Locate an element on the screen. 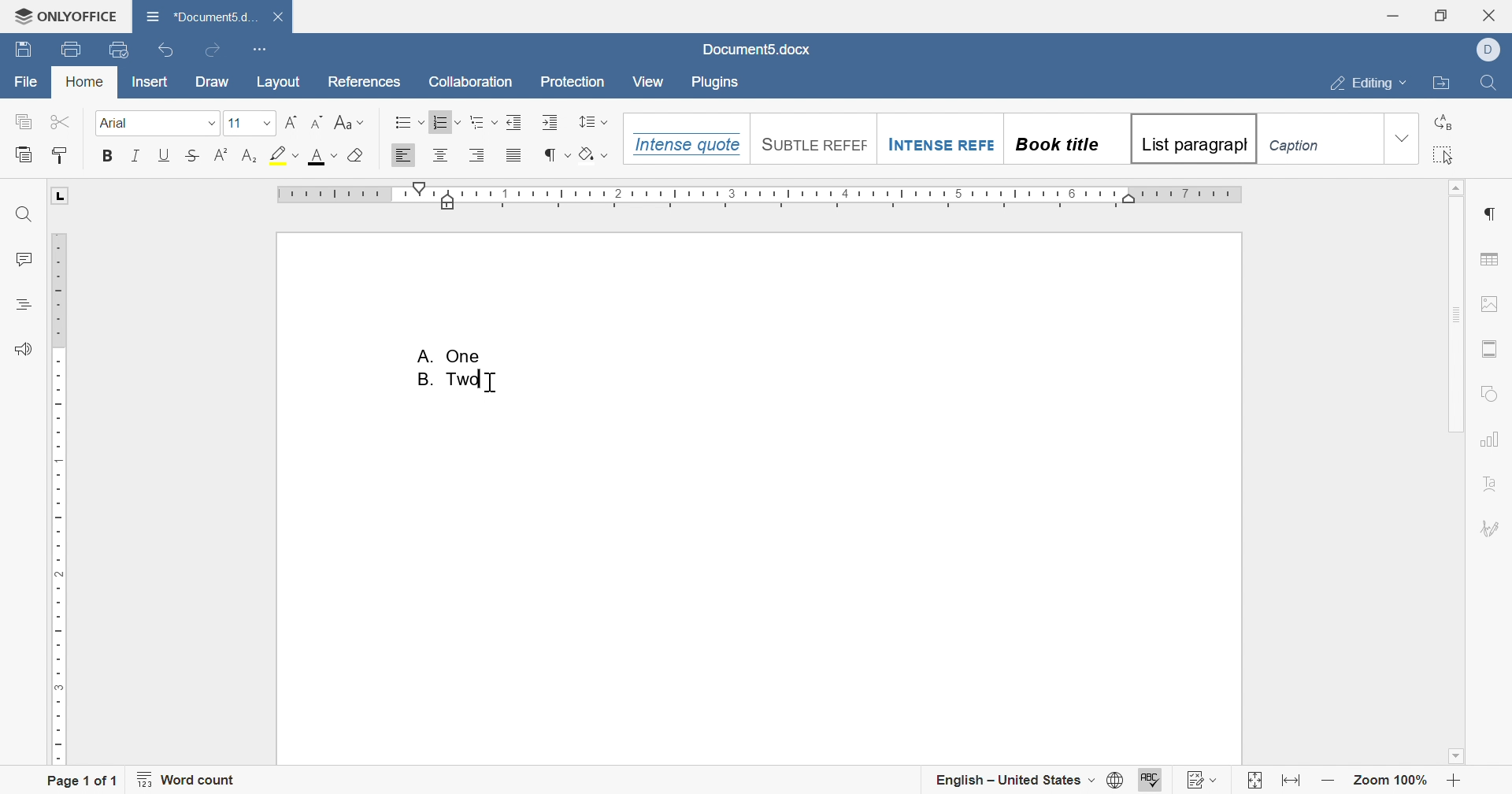 The height and width of the screenshot is (794, 1512). Increase indent is located at coordinates (551, 122).